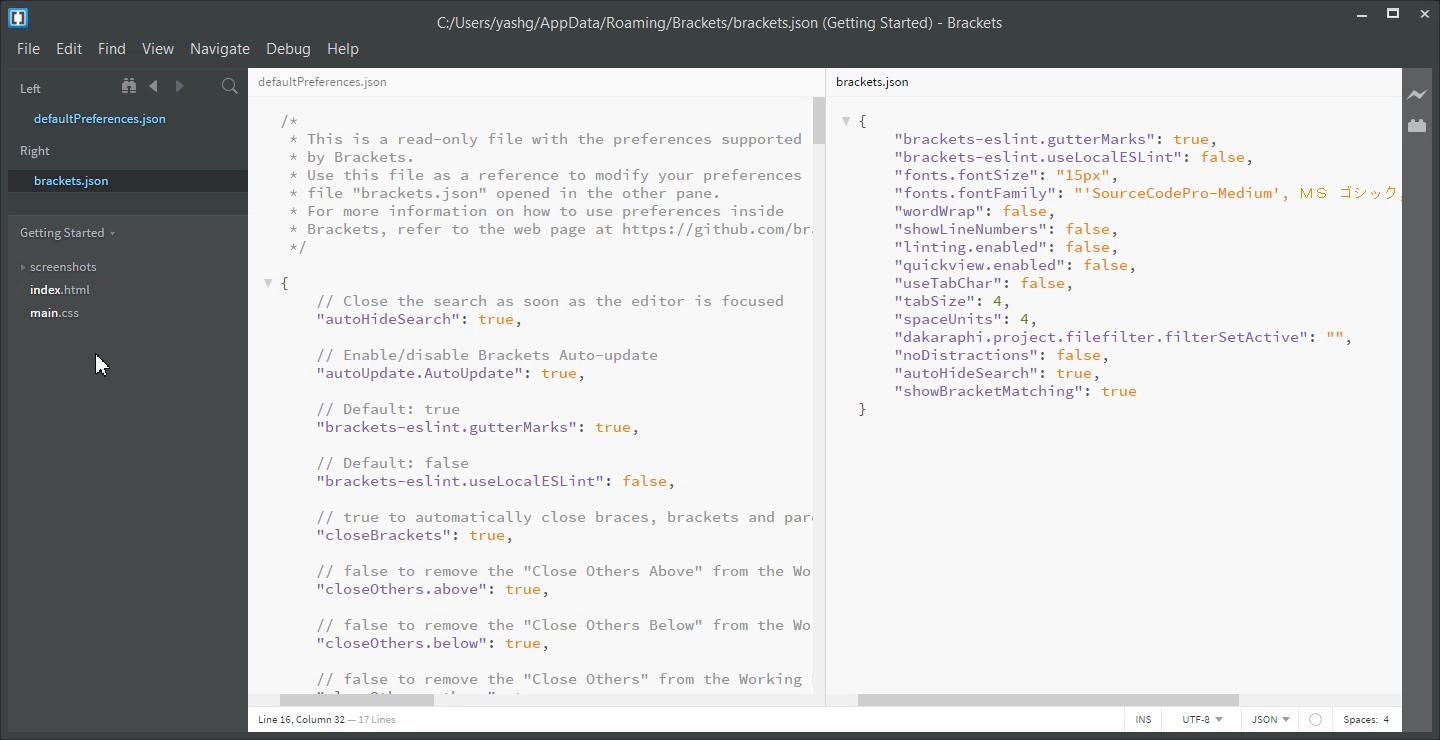  I want to click on brackets.json, so click(871, 81).